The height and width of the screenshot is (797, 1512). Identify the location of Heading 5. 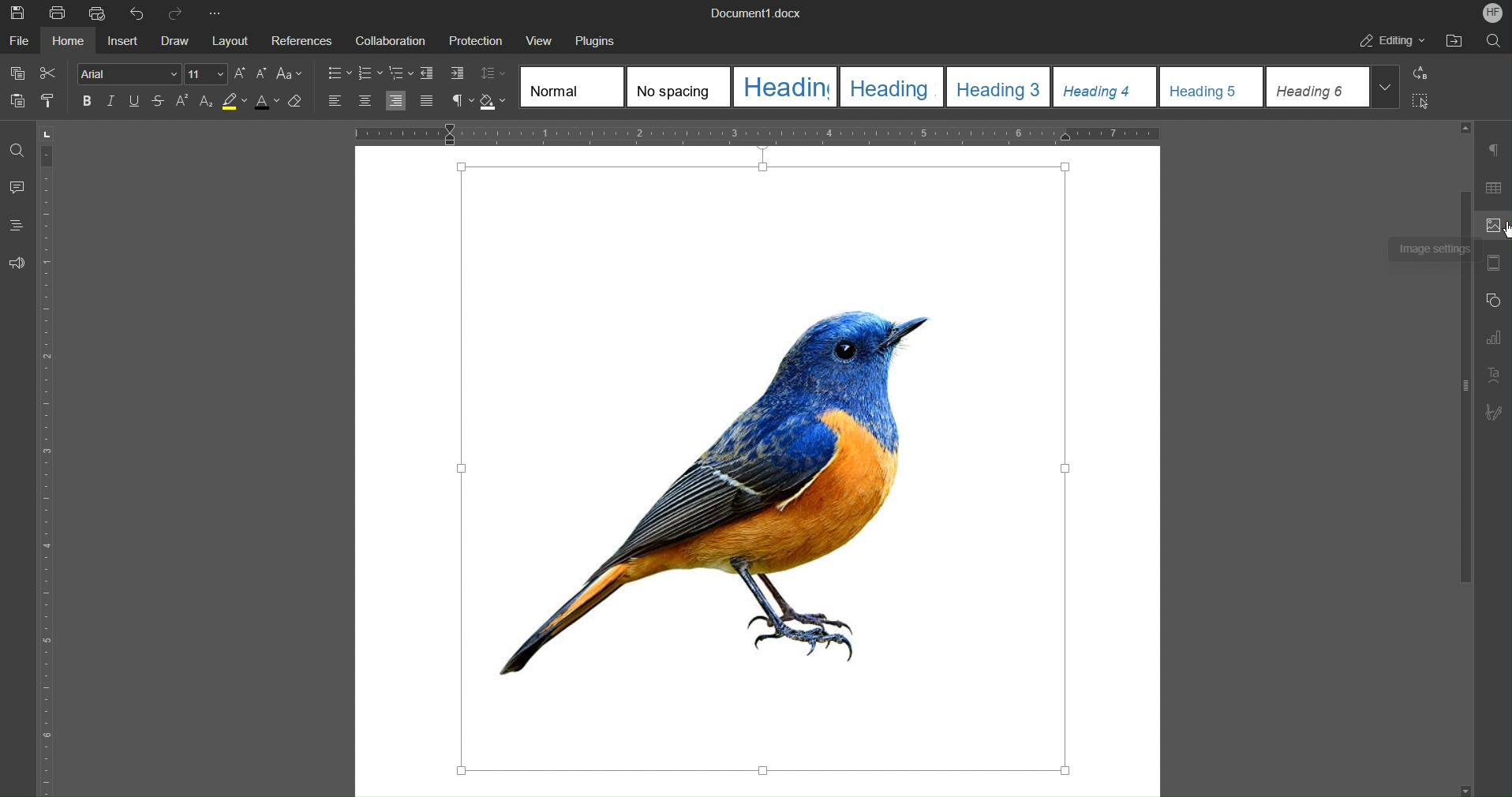
(1211, 85).